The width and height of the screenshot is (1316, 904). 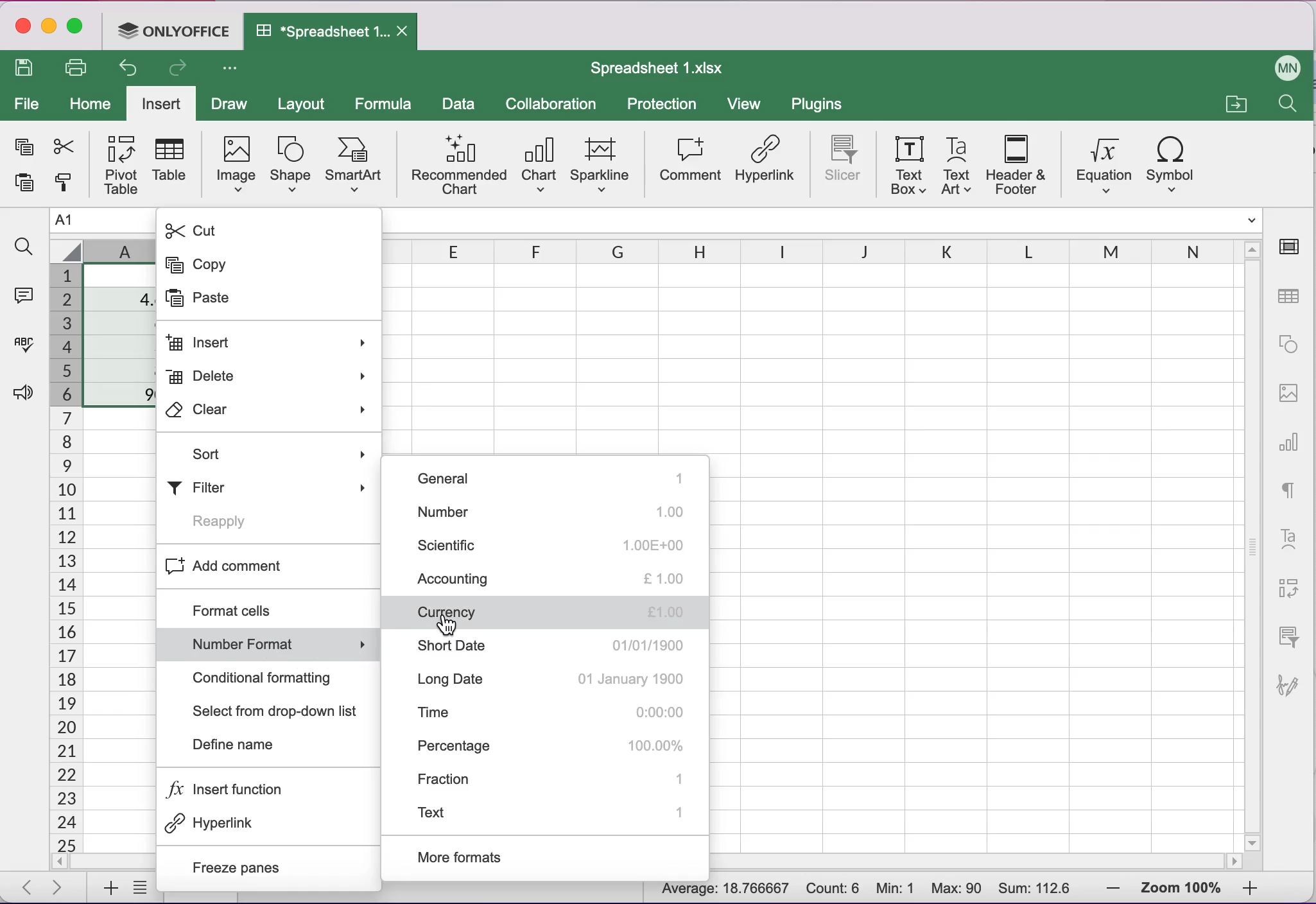 What do you see at coordinates (30, 104) in the screenshot?
I see `file` at bounding box center [30, 104].